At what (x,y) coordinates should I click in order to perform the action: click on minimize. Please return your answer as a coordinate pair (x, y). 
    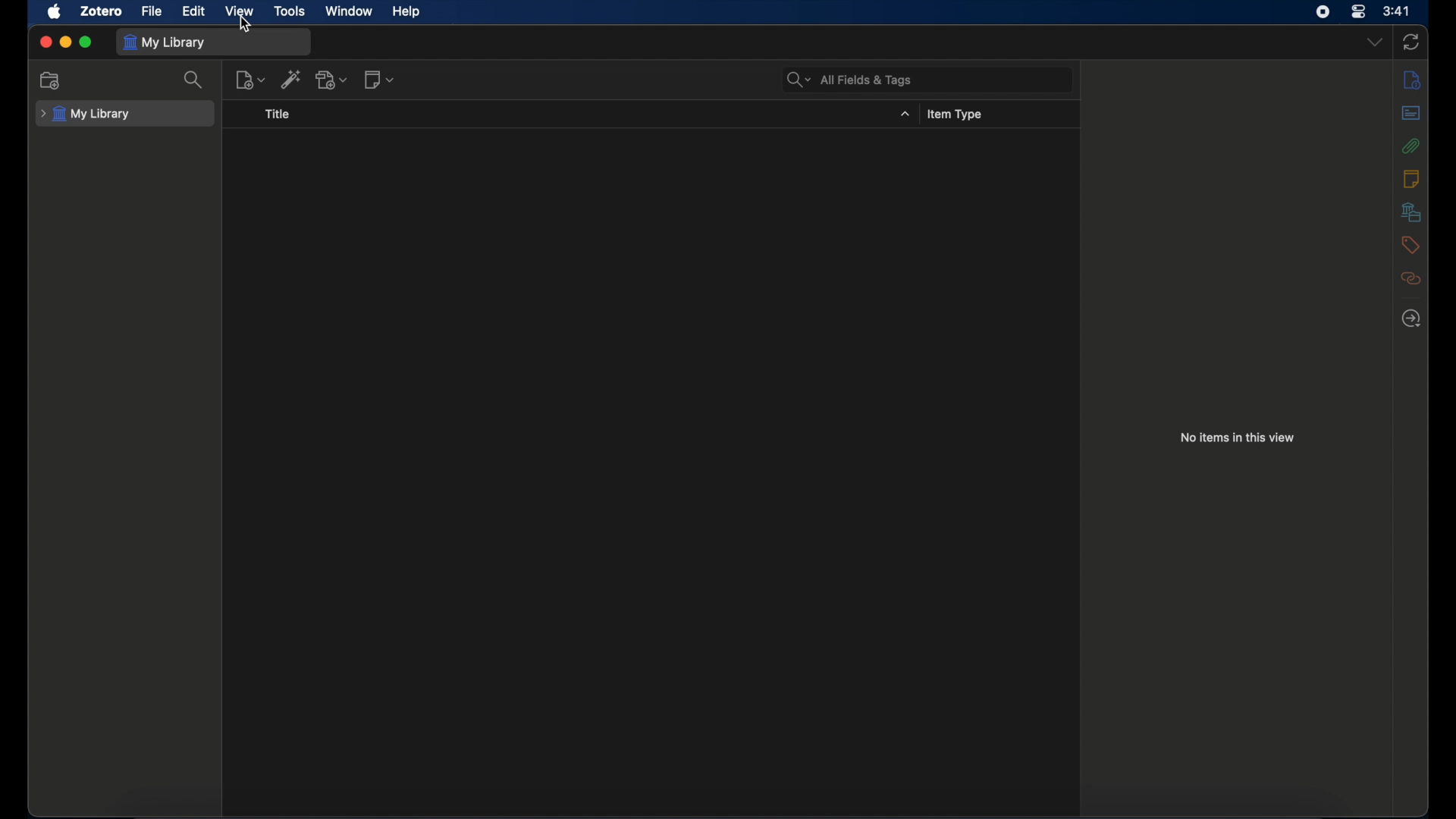
    Looking at the image, I should click on (65, 41).